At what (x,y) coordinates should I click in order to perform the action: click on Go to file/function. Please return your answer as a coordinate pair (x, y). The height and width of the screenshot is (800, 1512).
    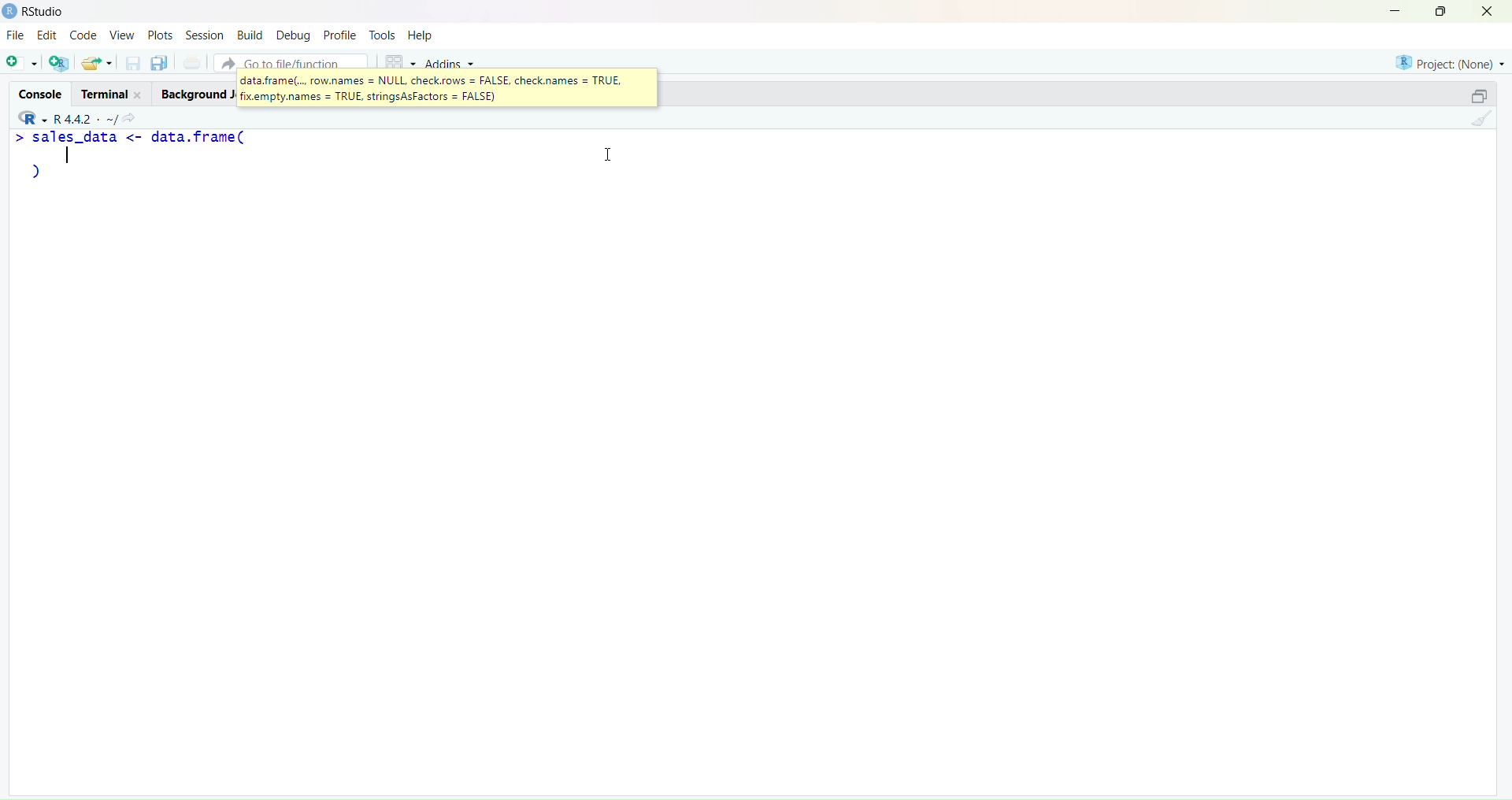
    Looking at the image, I should click on (290, 61).